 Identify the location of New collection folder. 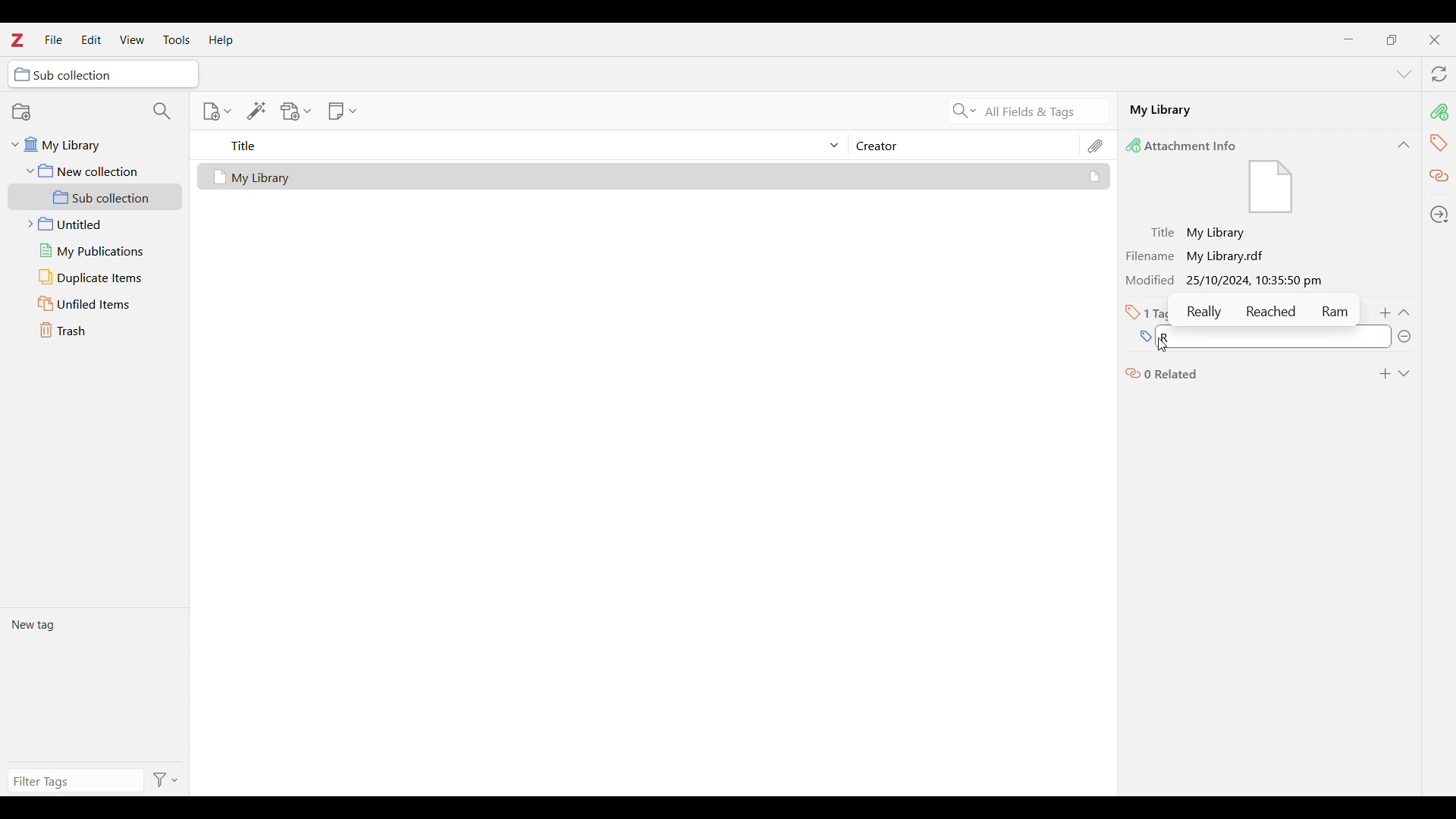
(96, 171).